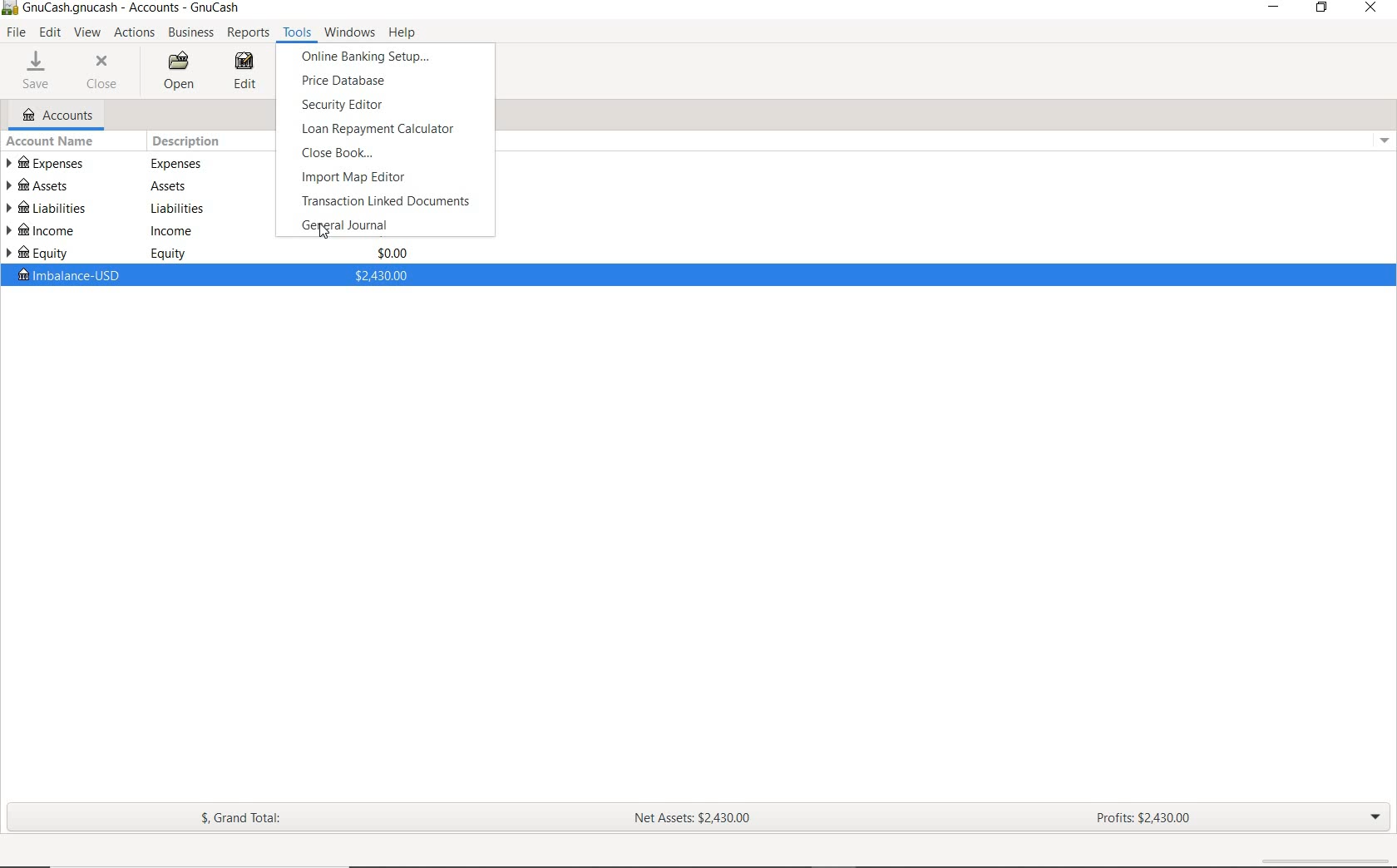  What do you see at coordinates (59, 116) in the screenshot?
I see `ACCOUNTS` at bounding box center [59, 116].